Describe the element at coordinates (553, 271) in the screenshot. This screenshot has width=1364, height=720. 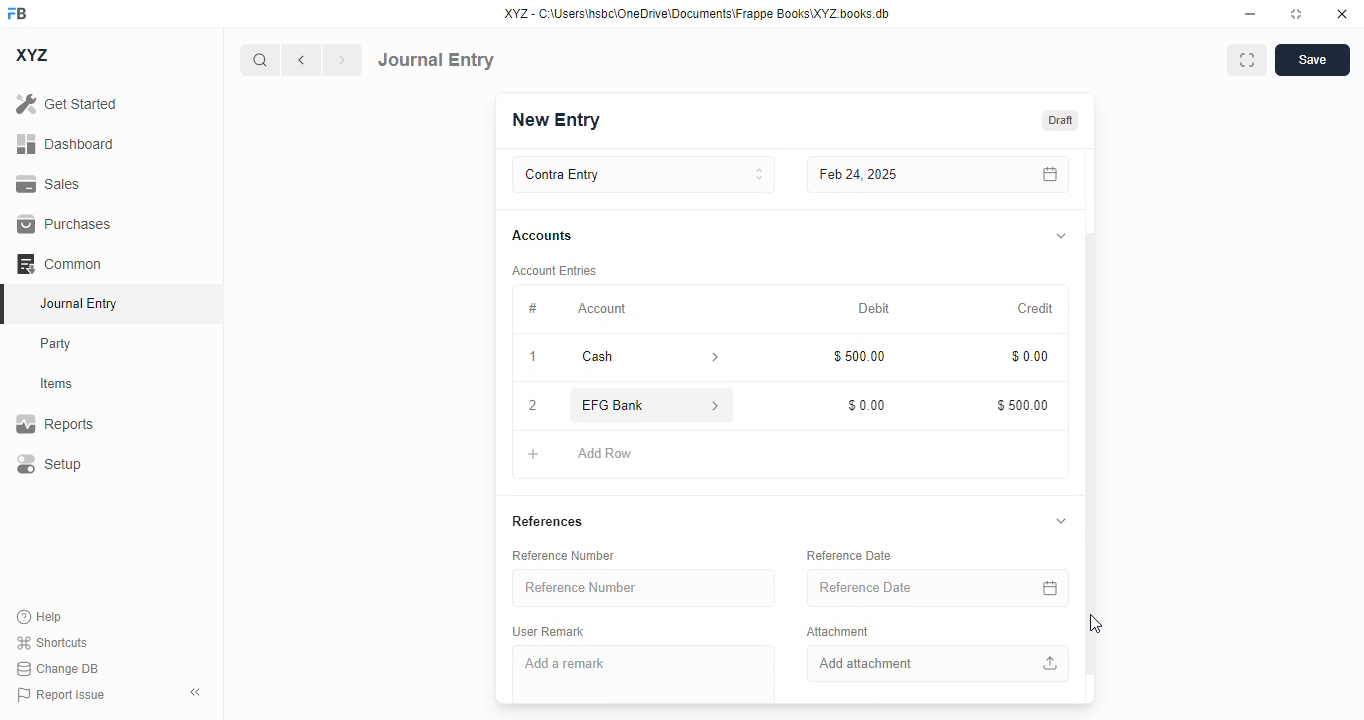
I see `account entries` at that location.